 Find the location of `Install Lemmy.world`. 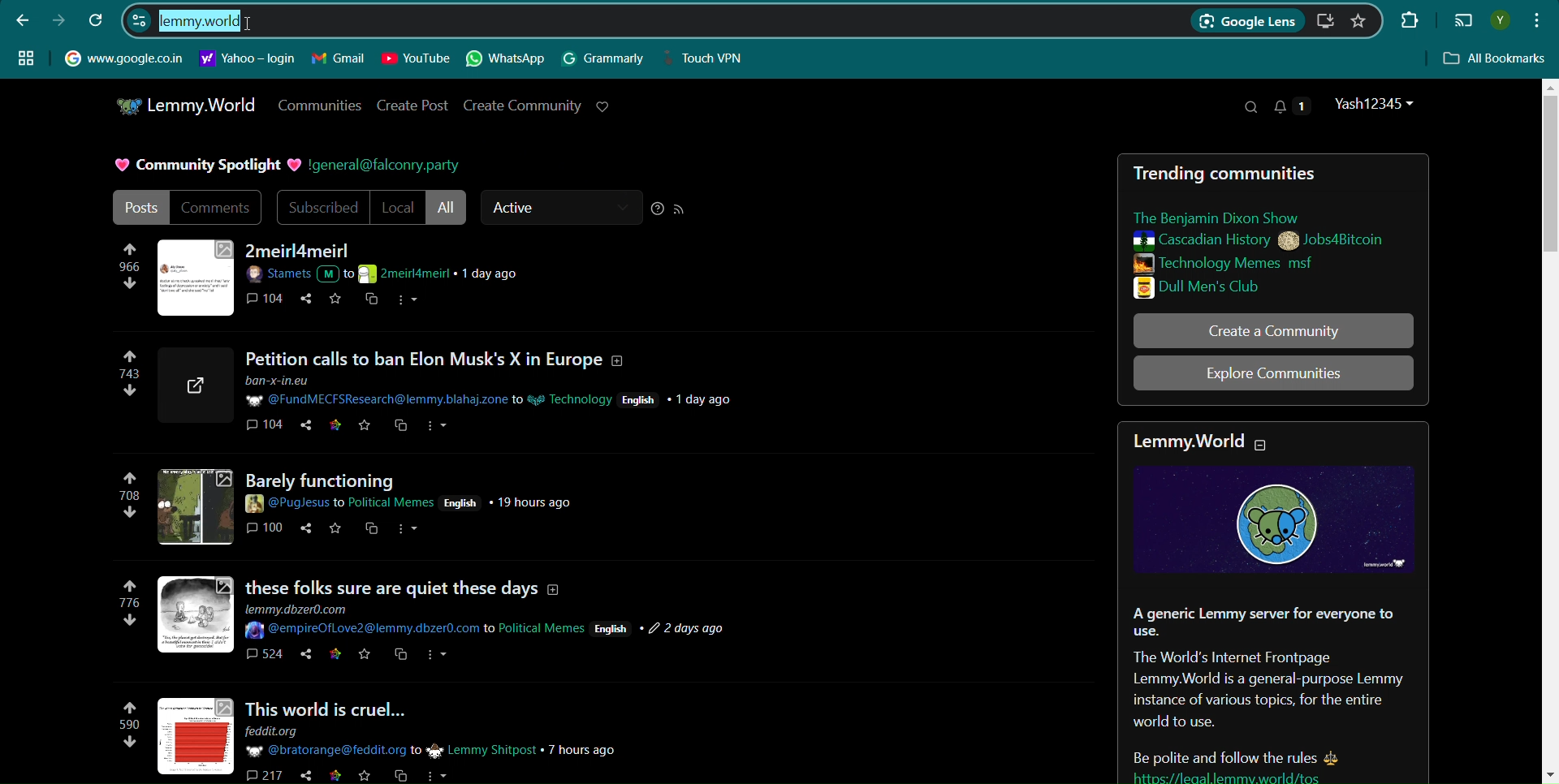

Install Lemmy.world is located at coordinates (1328, 21).